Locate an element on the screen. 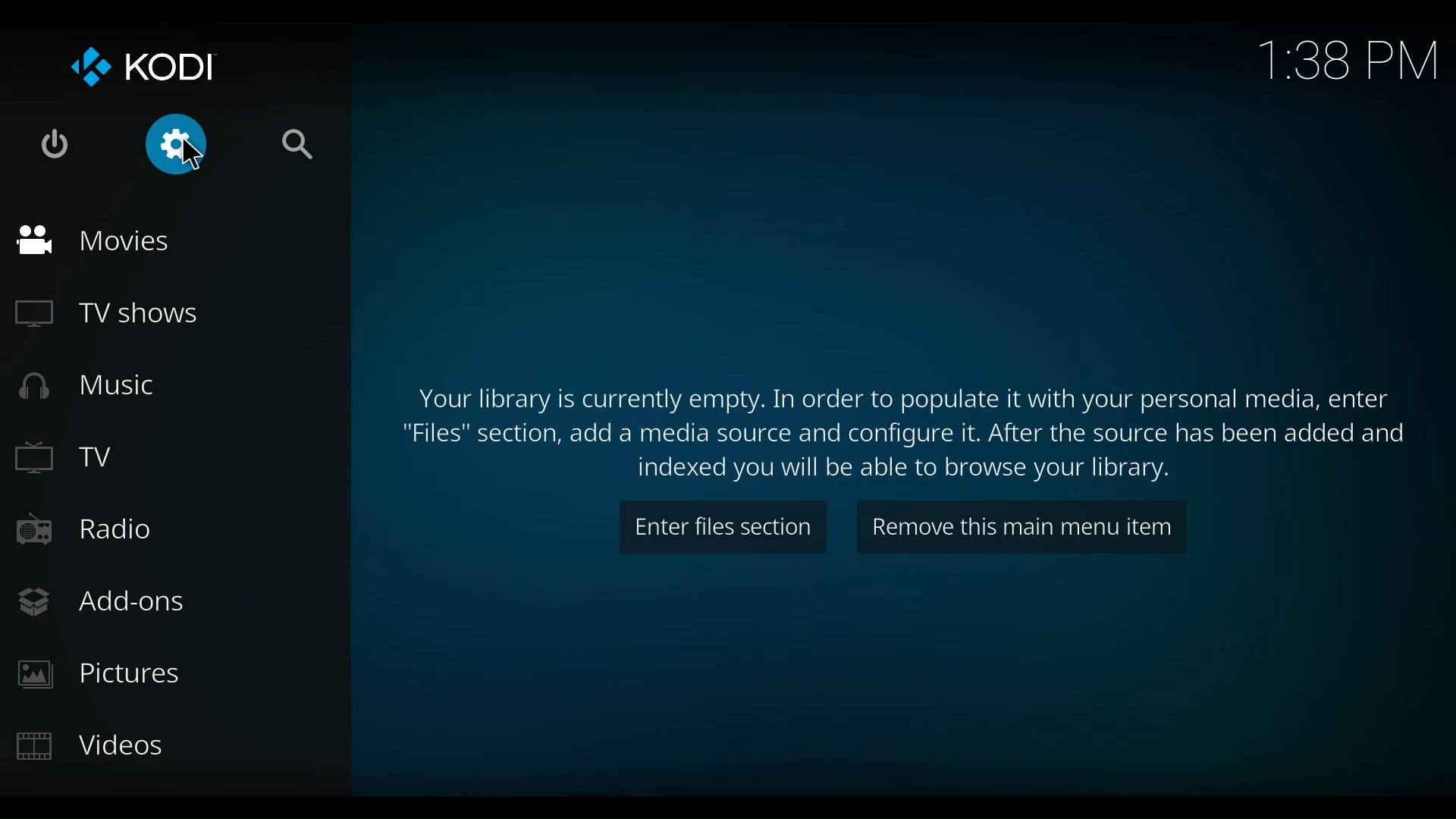  Your library is currently empty. In order to populate it with your personal media, enter is located at coordinates (904, 398).